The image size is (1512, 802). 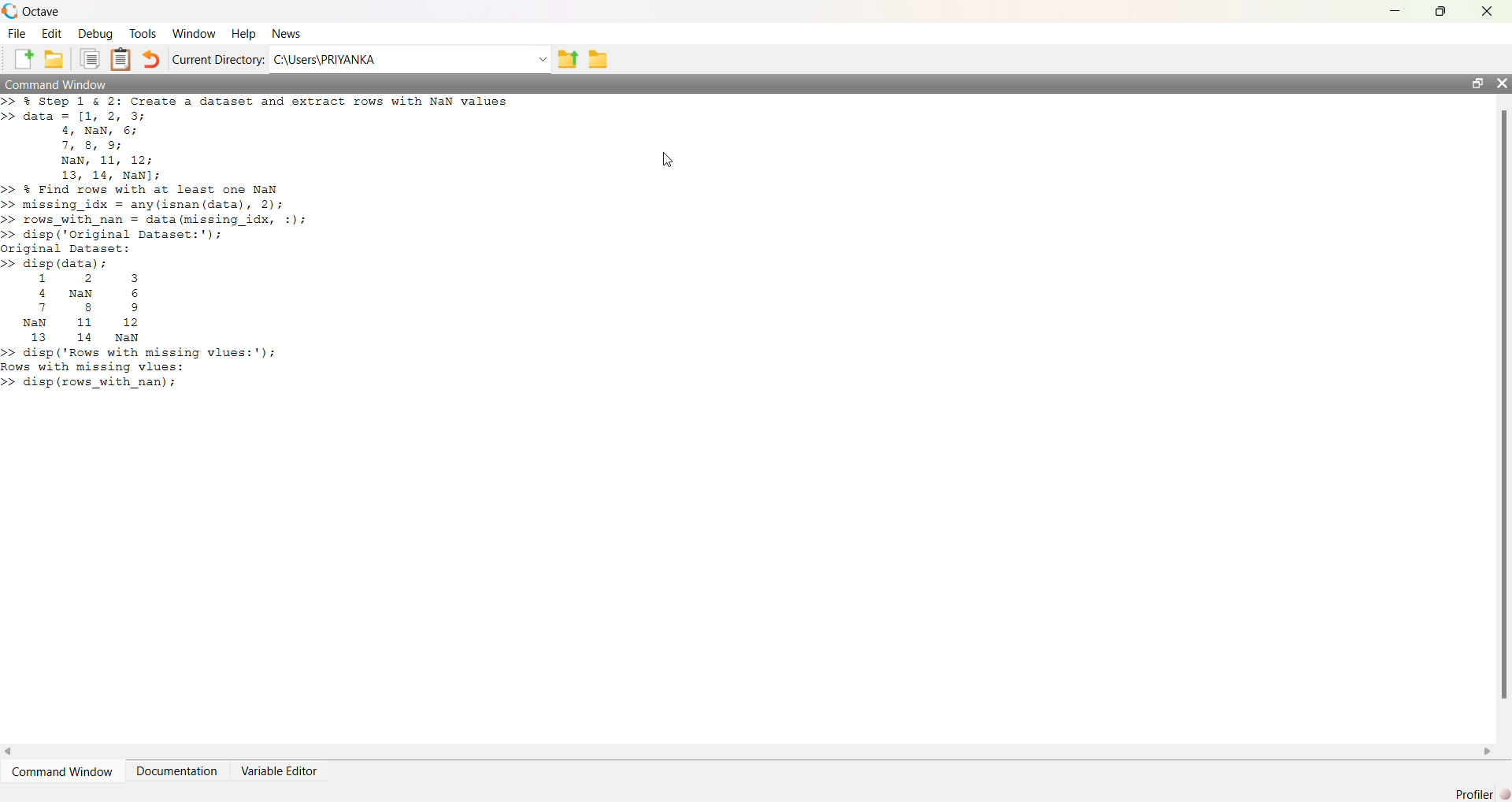 What do you see at coordinates (1488, 752) in the screenshot?
I see `scroll right` at bounding box center [1488, 752].